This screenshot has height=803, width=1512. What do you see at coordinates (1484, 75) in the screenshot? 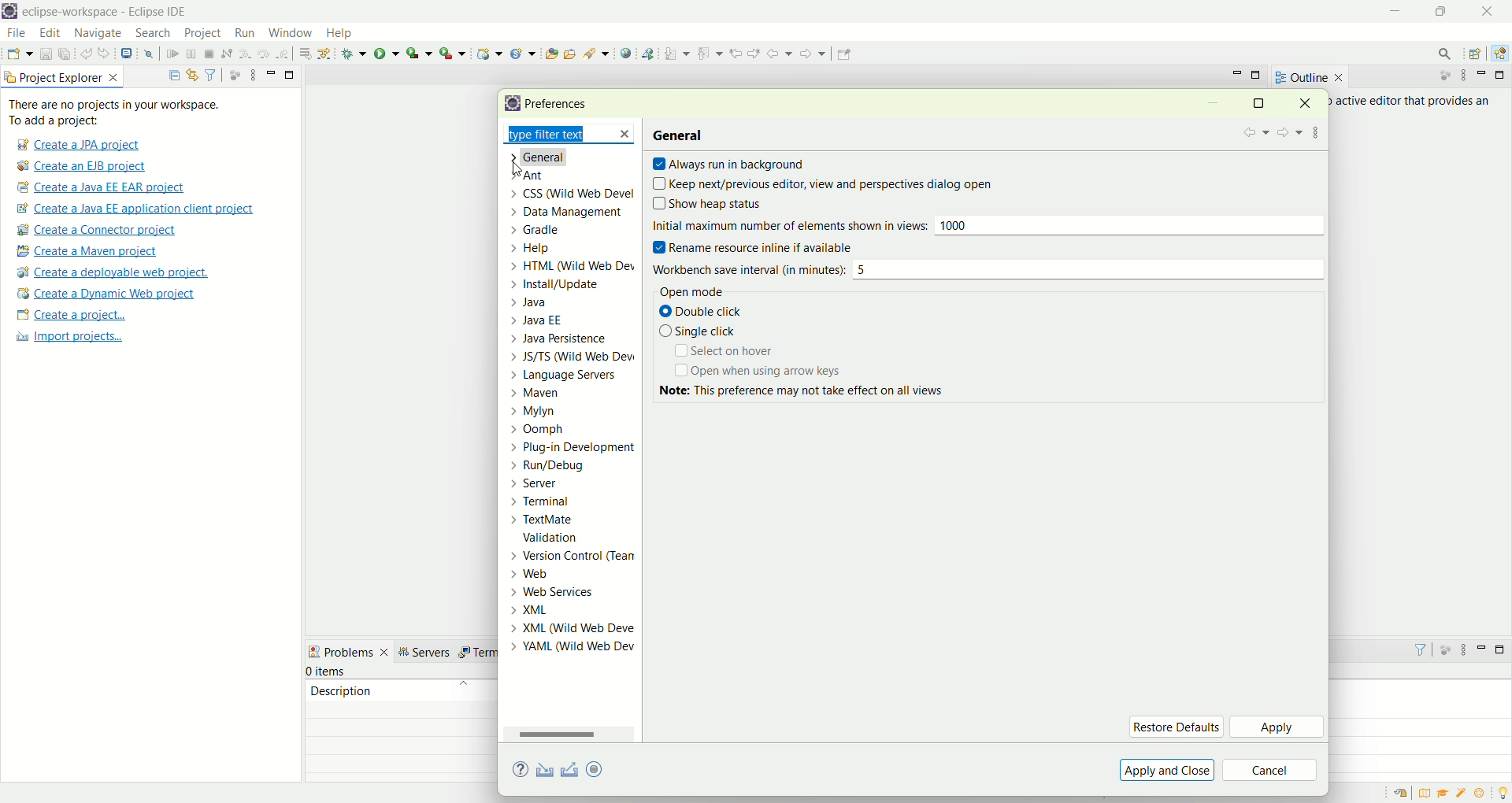
I see `minimize` at bounding box center [1484, 75].